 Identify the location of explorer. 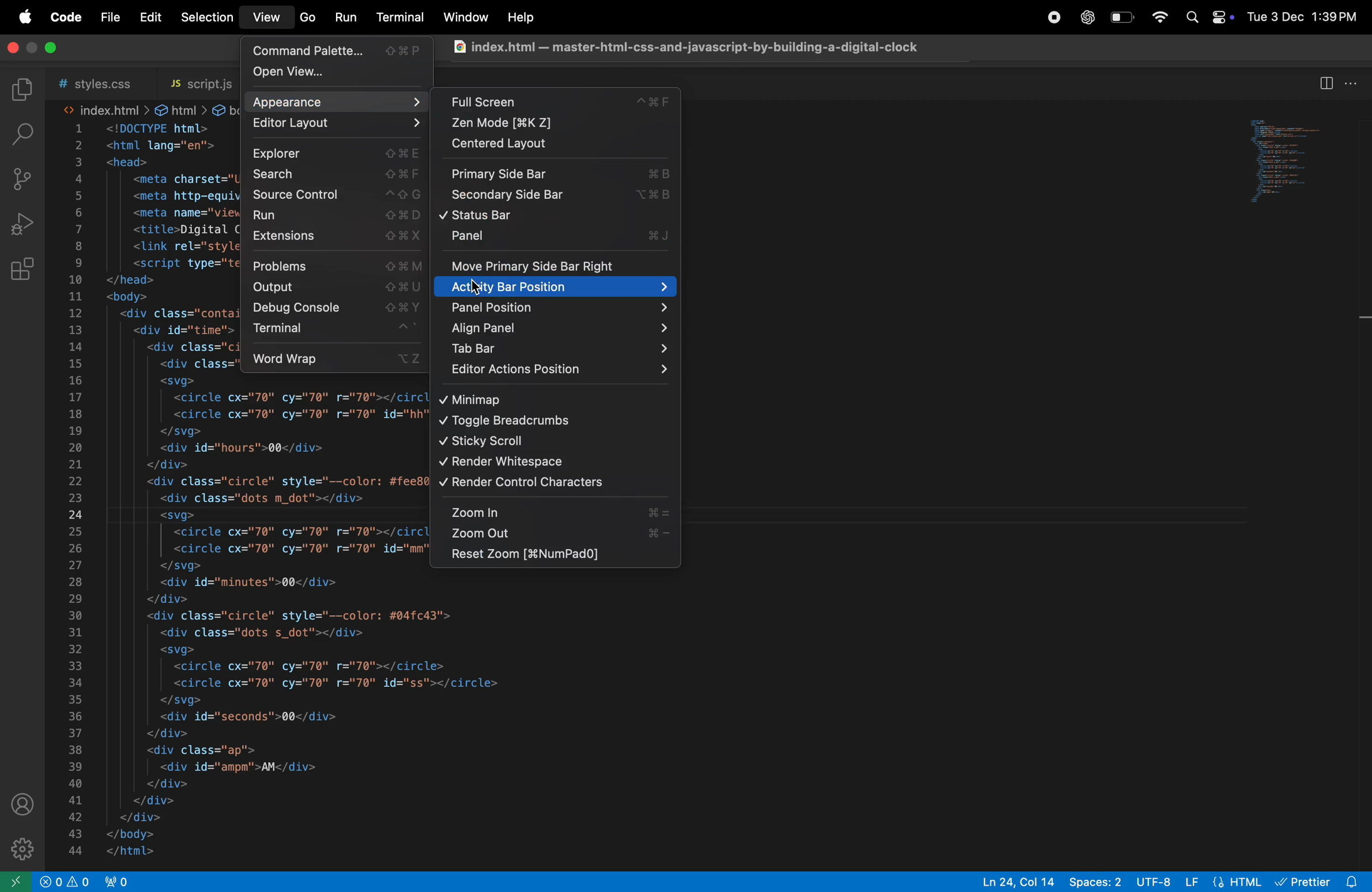
(21, 90).